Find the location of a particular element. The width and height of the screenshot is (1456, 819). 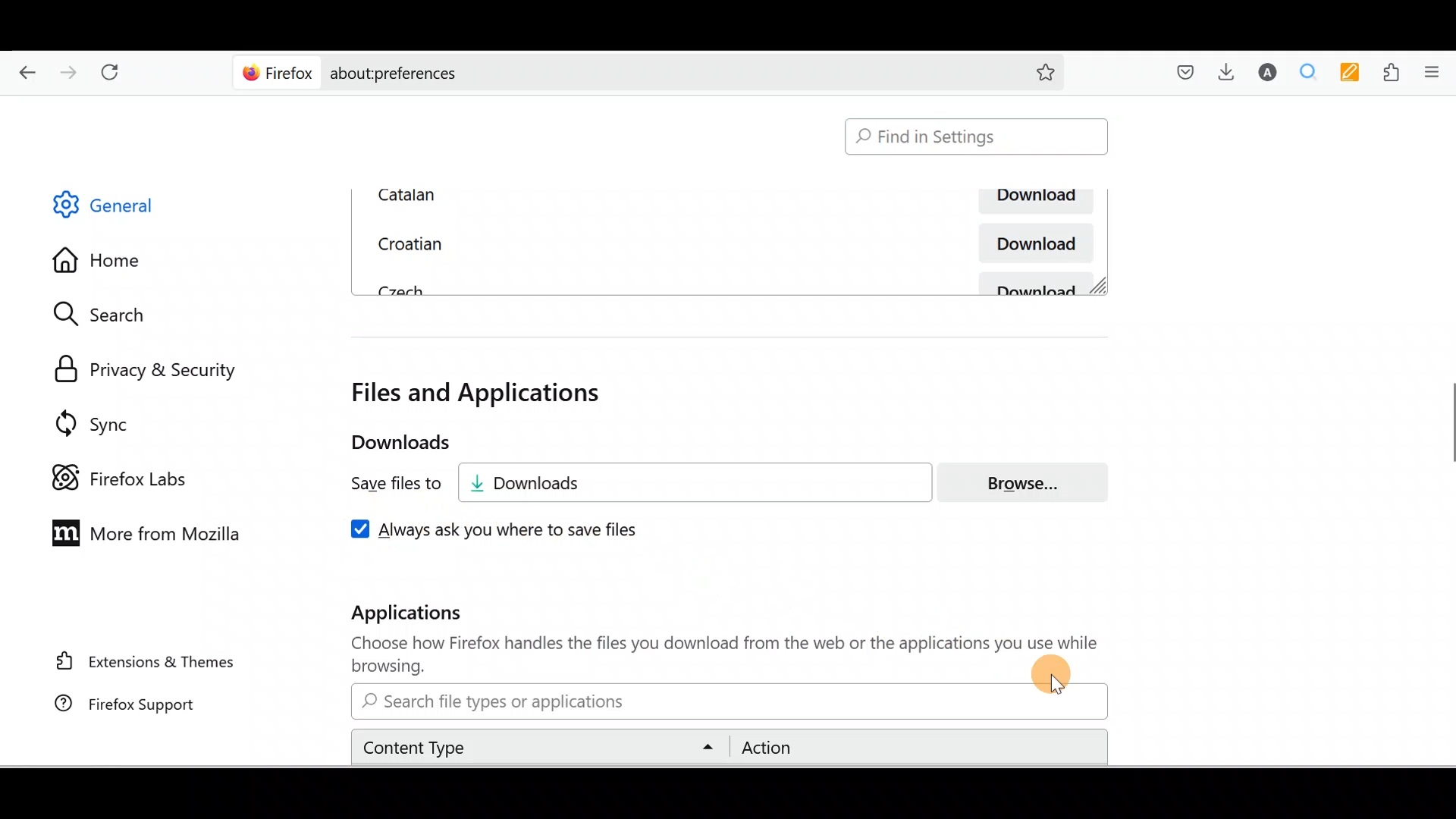

Account is located at coordinates (1269, 74).